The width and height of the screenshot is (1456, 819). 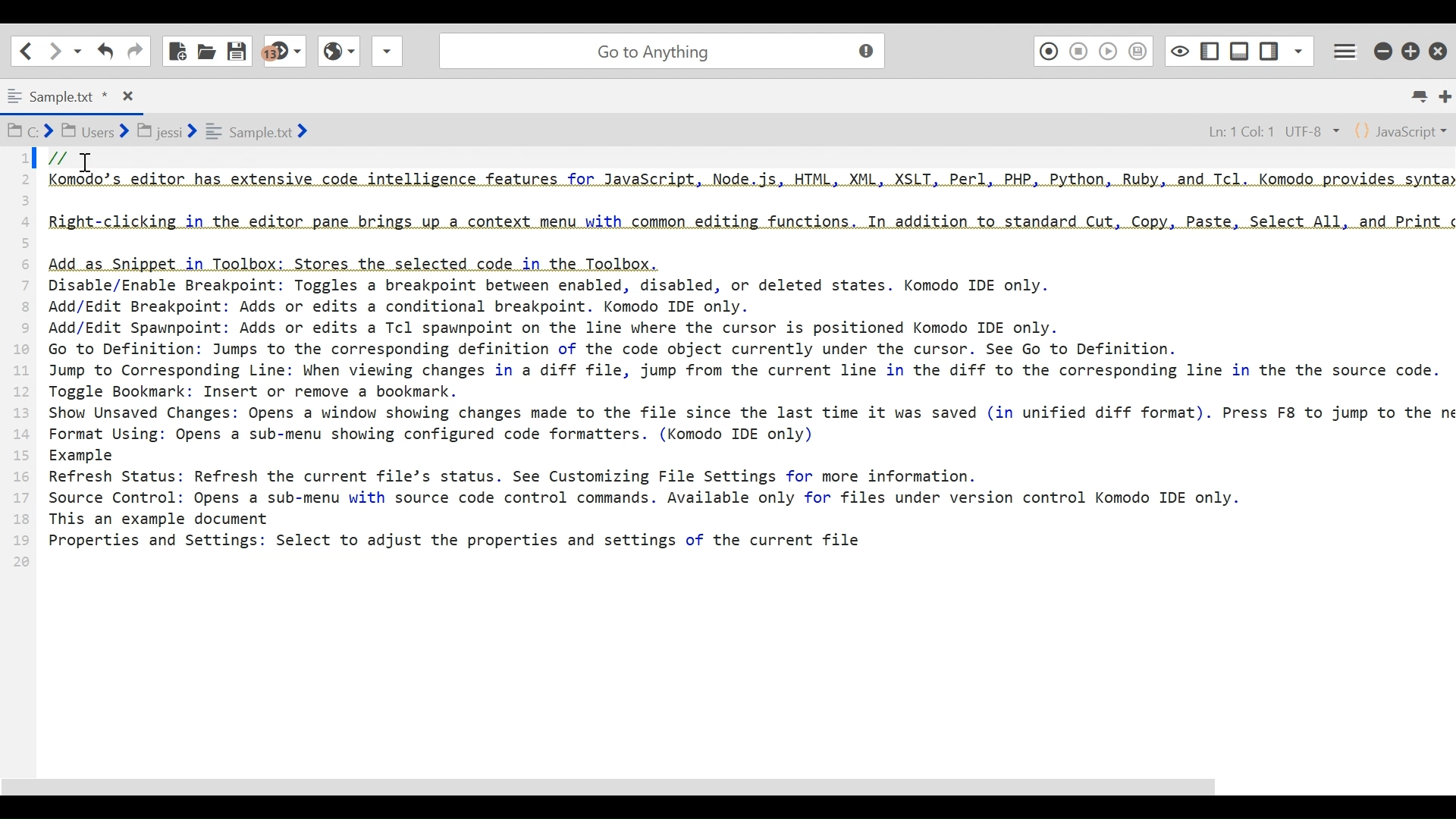 What do you see at coordinates (1445, 96) in the screenshot?
I see `New Tab` at bounding box center [1445, 96].